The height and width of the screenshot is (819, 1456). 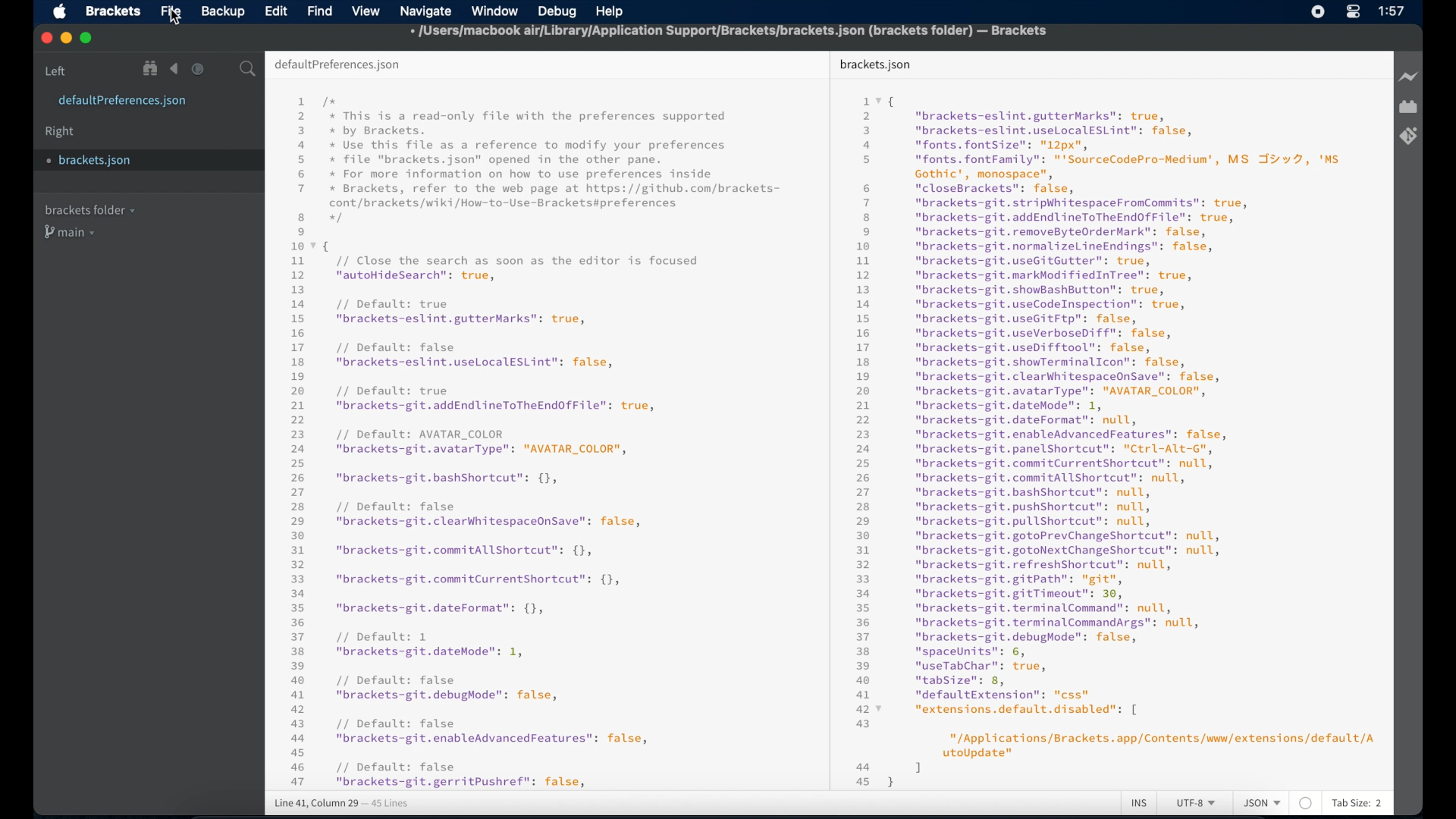 What do you see at coordinates (609, 11) in the screenshot?
I see `help` at bounding box center [609, 11].